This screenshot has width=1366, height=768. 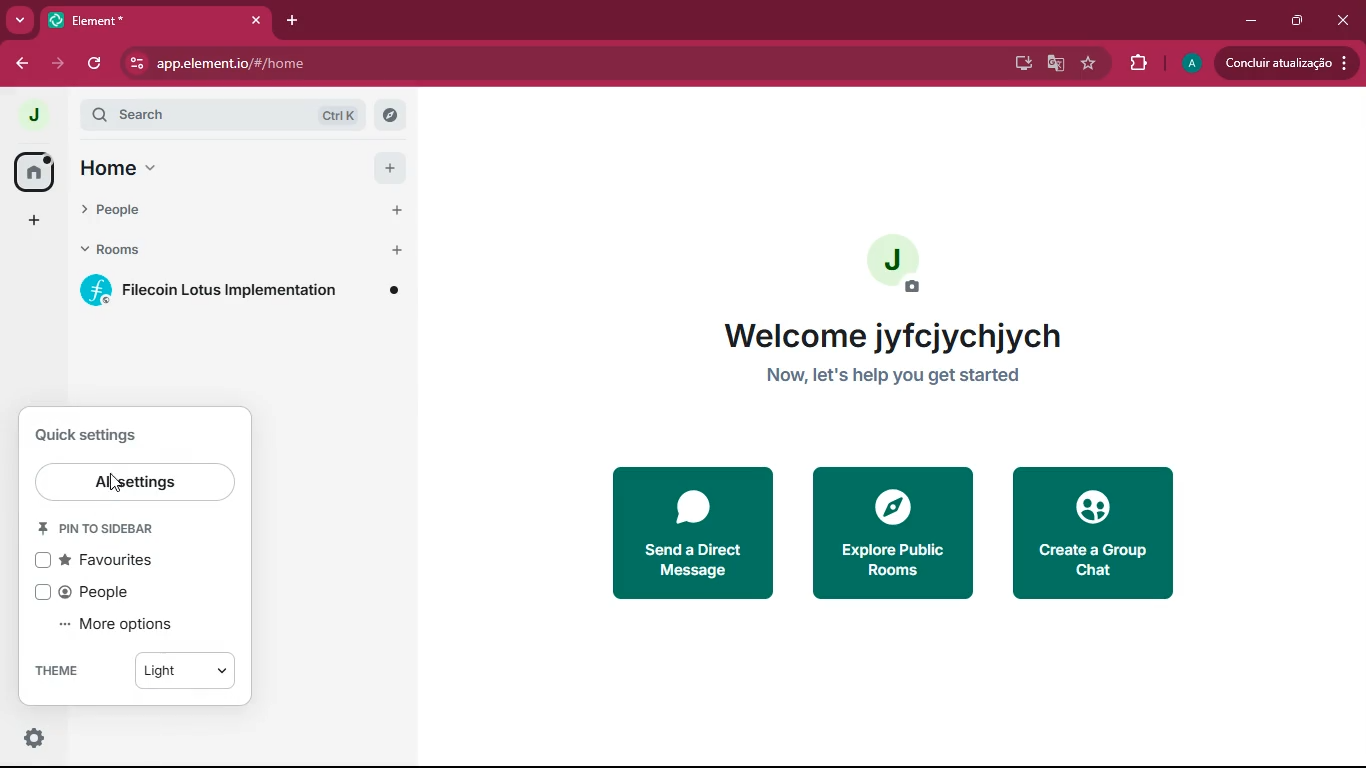 What do you see at coordinates (120, 486) in the screenshot?
I see `cursor on all settings` at bounding box center [120, 486].